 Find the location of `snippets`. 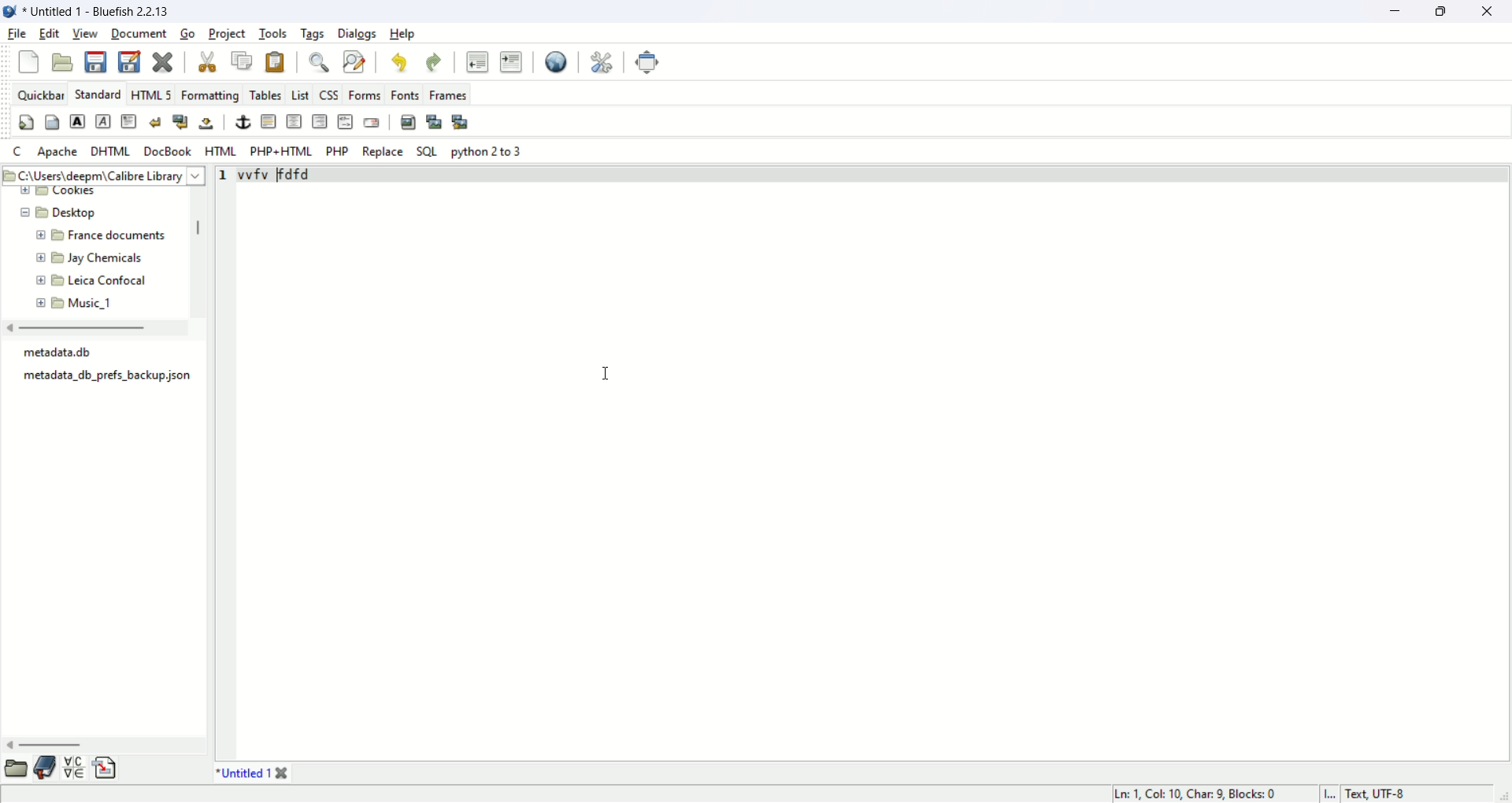

snippets is located at coordinates (106, 771).